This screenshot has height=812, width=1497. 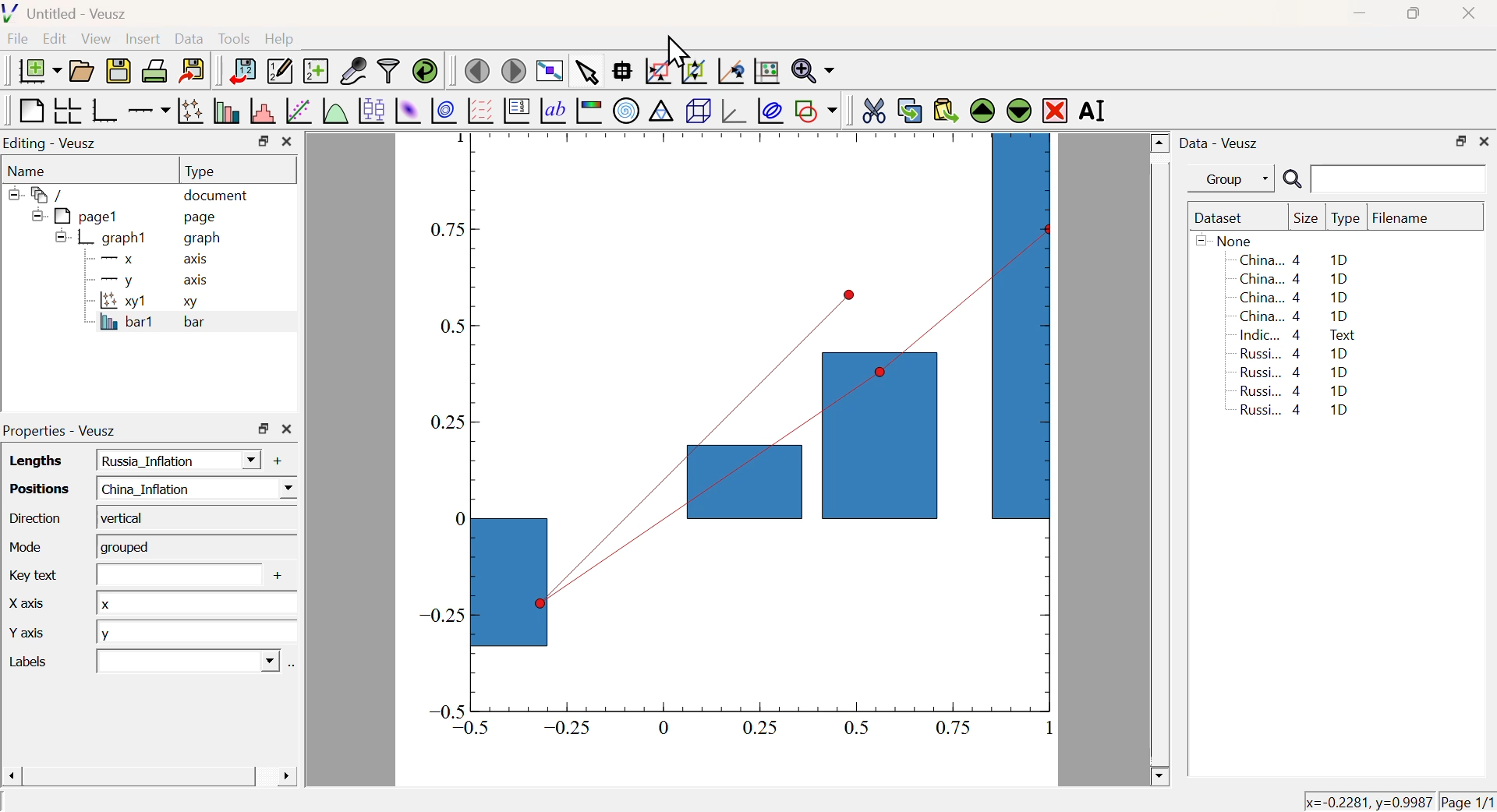 I want to click on Plot a function, so click(x=333, y=111).